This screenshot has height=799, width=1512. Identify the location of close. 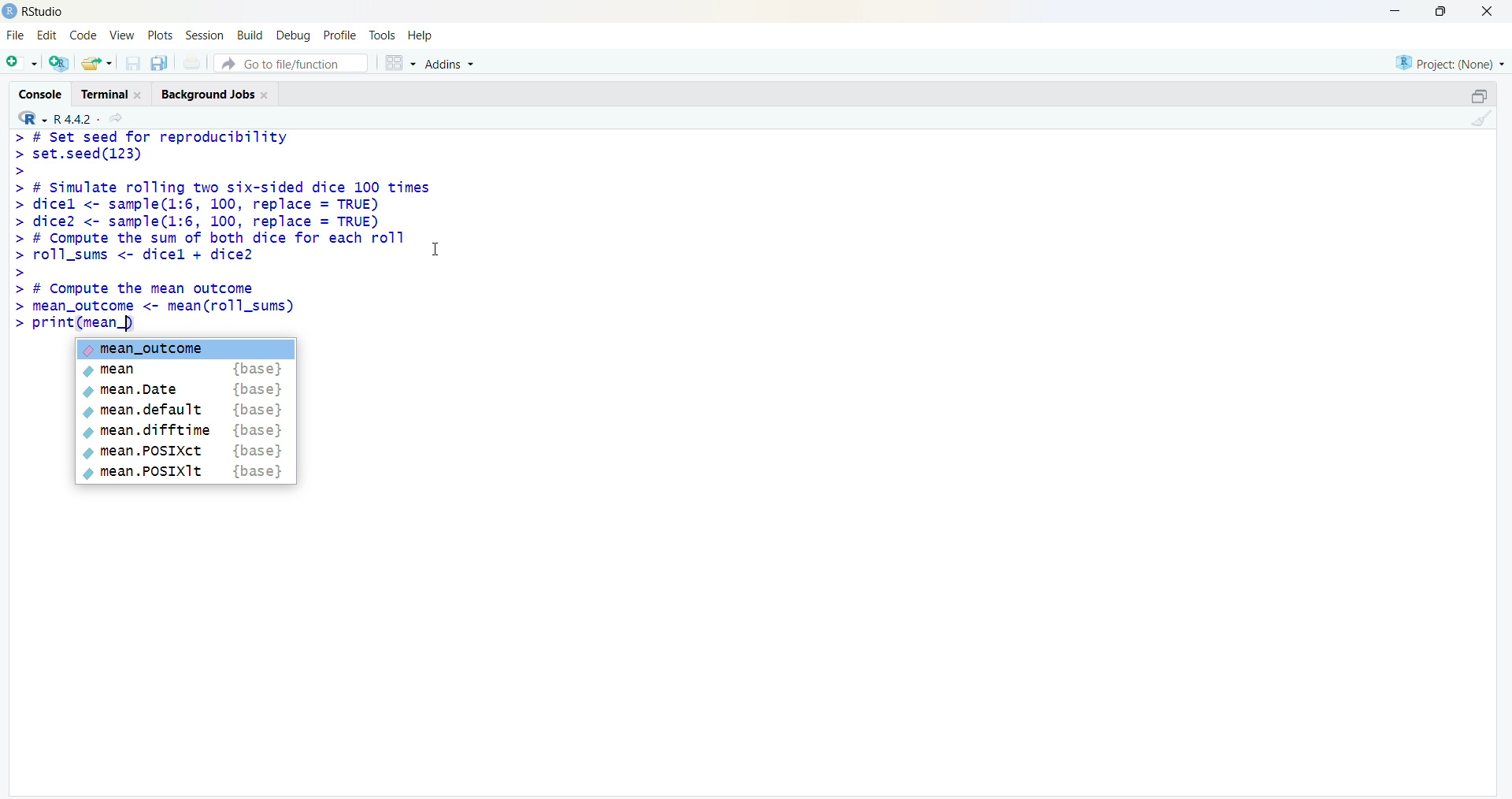
(139, 95).